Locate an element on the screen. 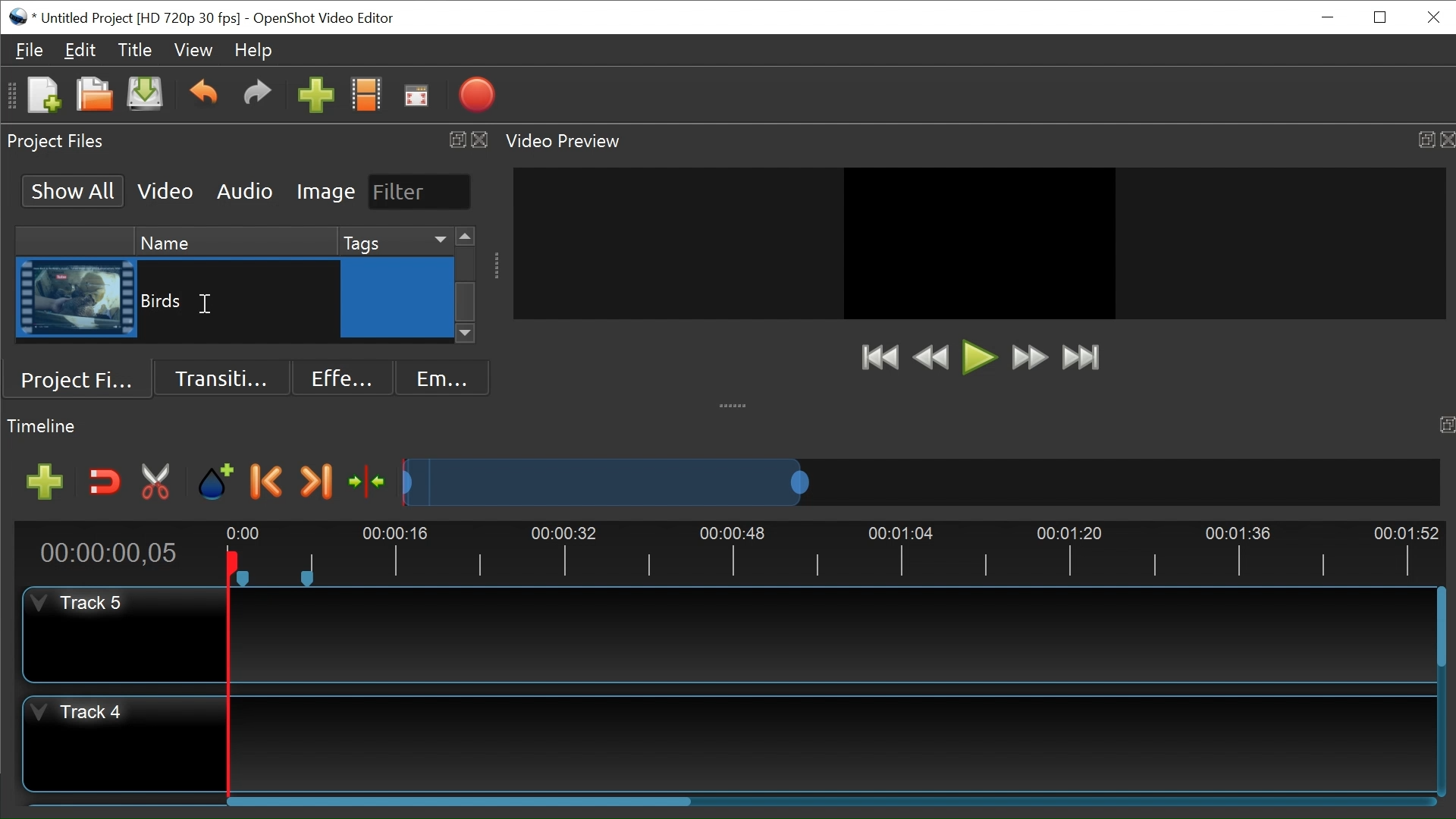 Image resolution: width=1456 pixels, height=819 pixels. Rewind is located at coordinates (930, 357).